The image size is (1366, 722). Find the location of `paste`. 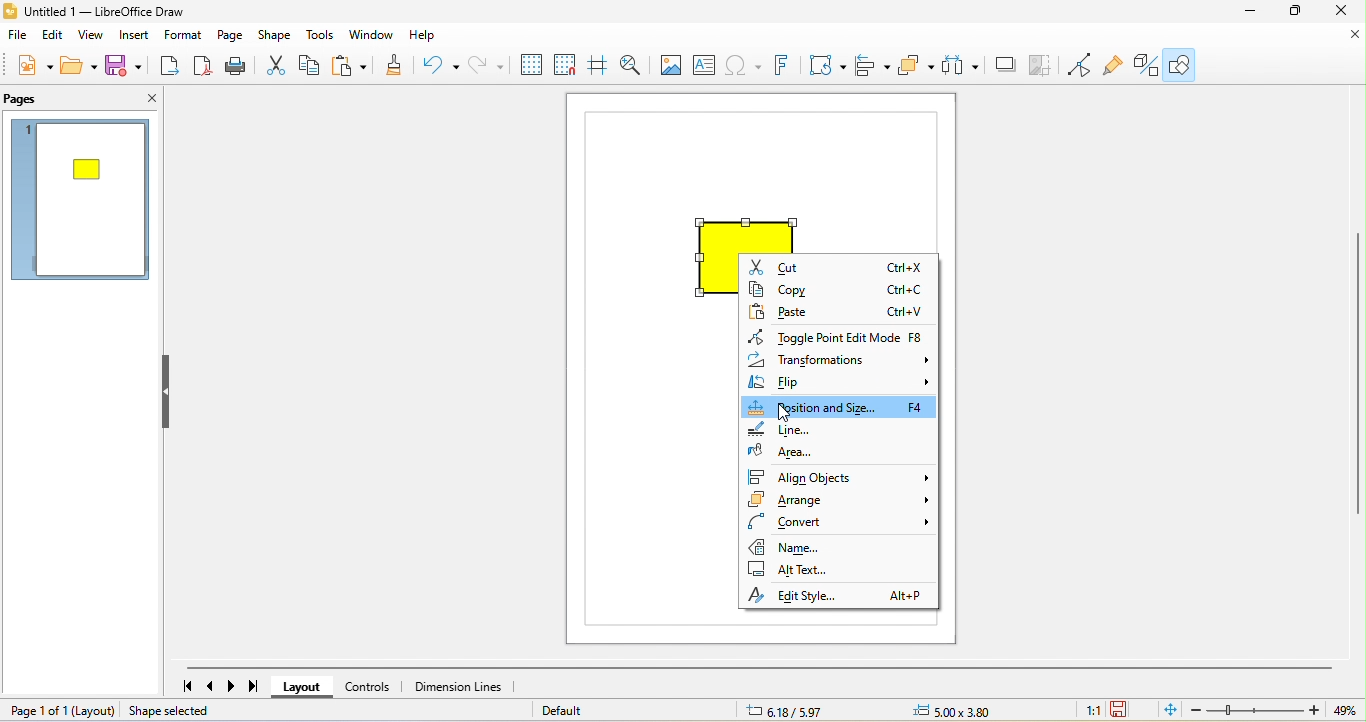

paste is located at coordinates (353, 64).